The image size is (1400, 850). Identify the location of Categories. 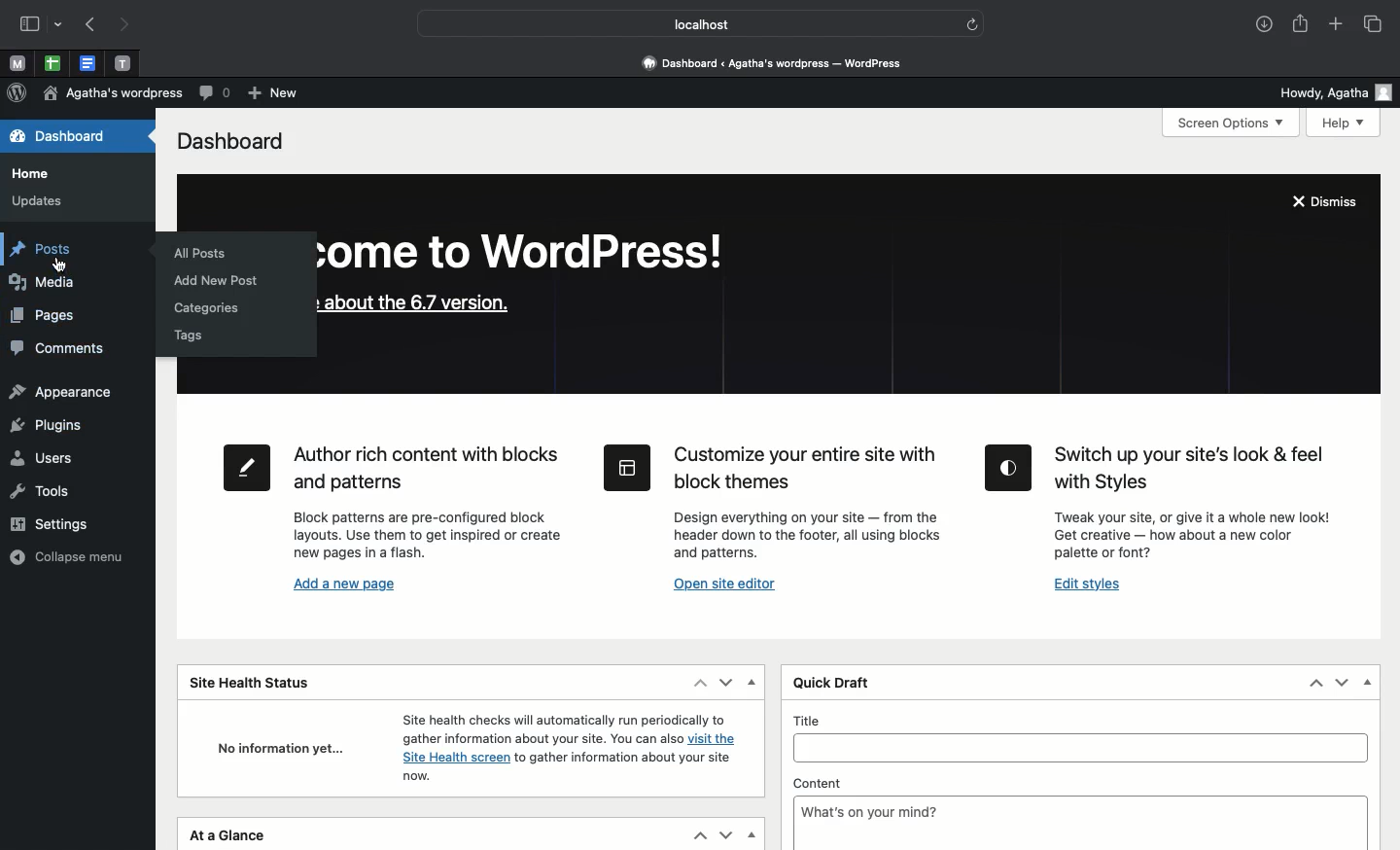
(208, 308).